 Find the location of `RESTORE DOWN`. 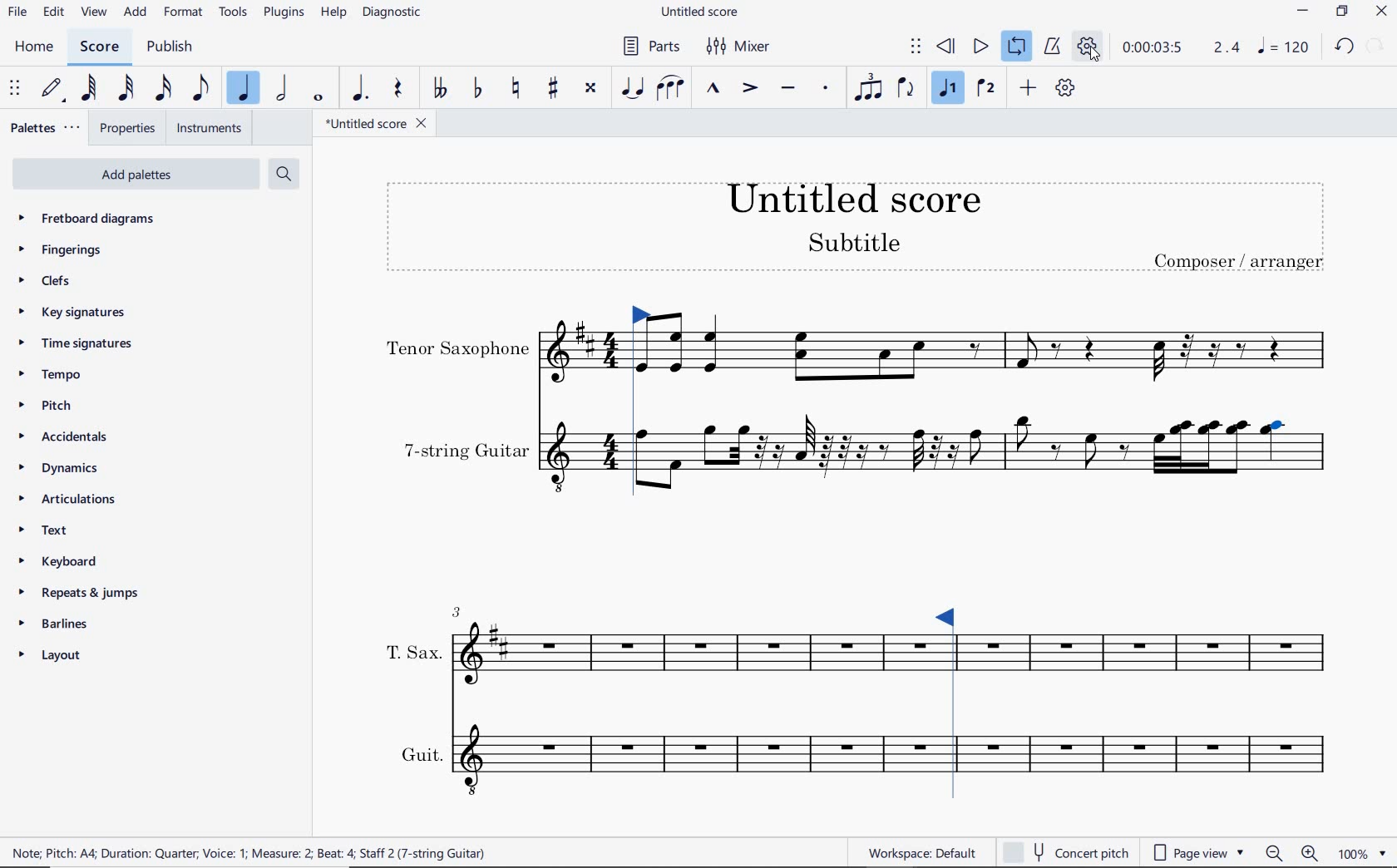

RESTORE DOWN is located at coordinates (1345, 12).